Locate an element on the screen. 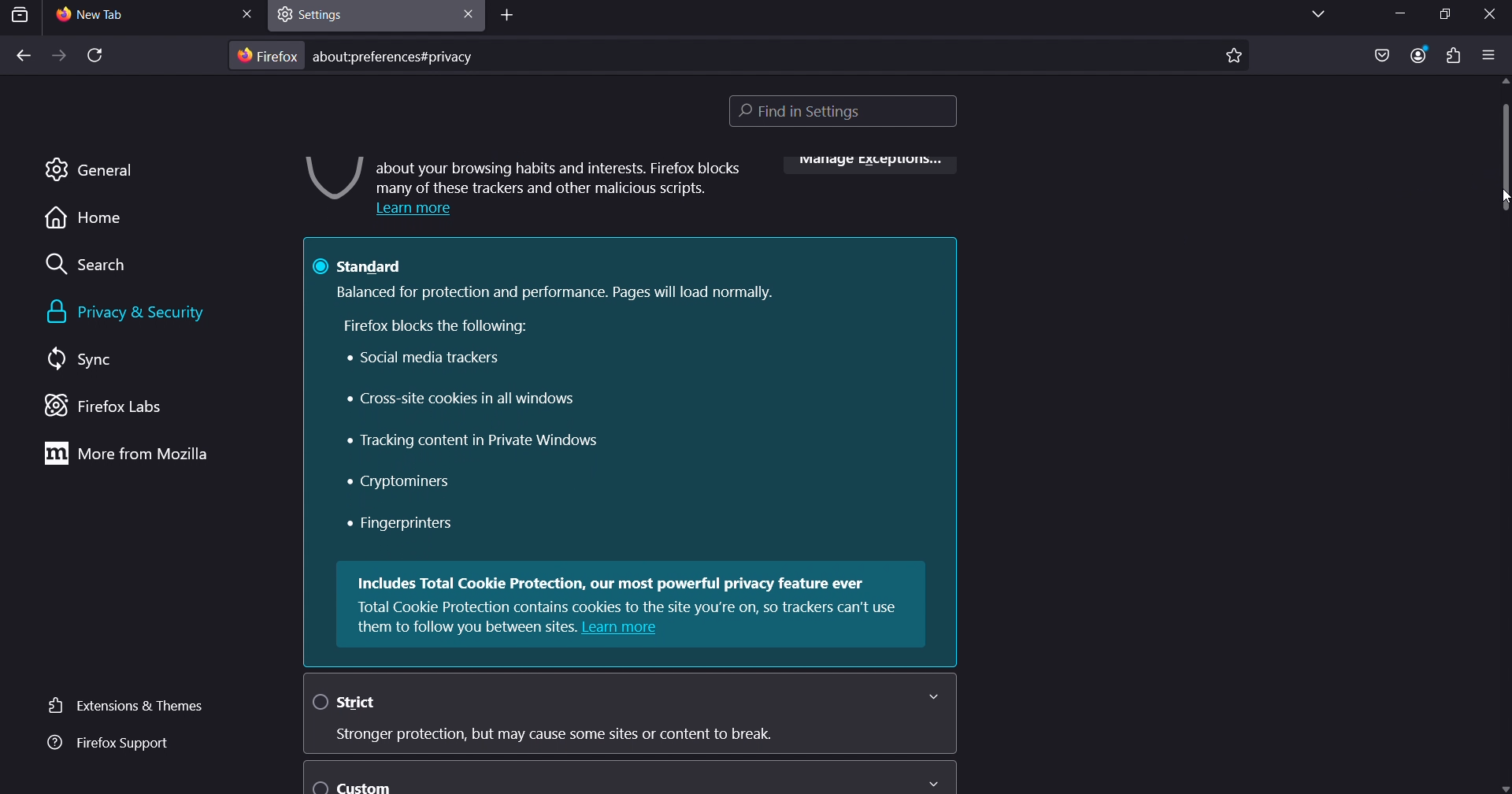 The width and height of the screenshot is (1512, 794). account is located at coordinates (1418, 54).